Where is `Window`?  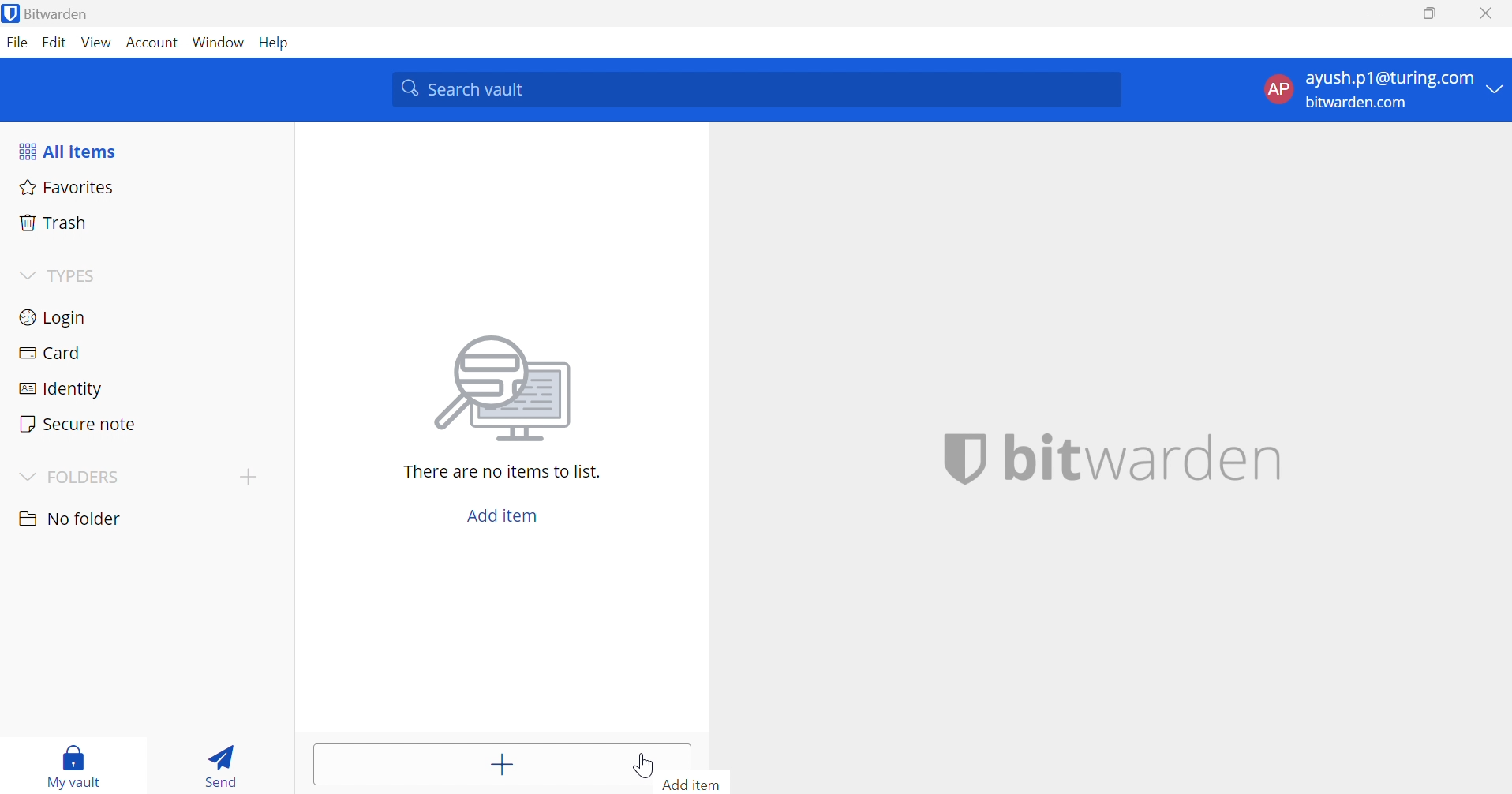 Window is located at coordinates (219, 43).